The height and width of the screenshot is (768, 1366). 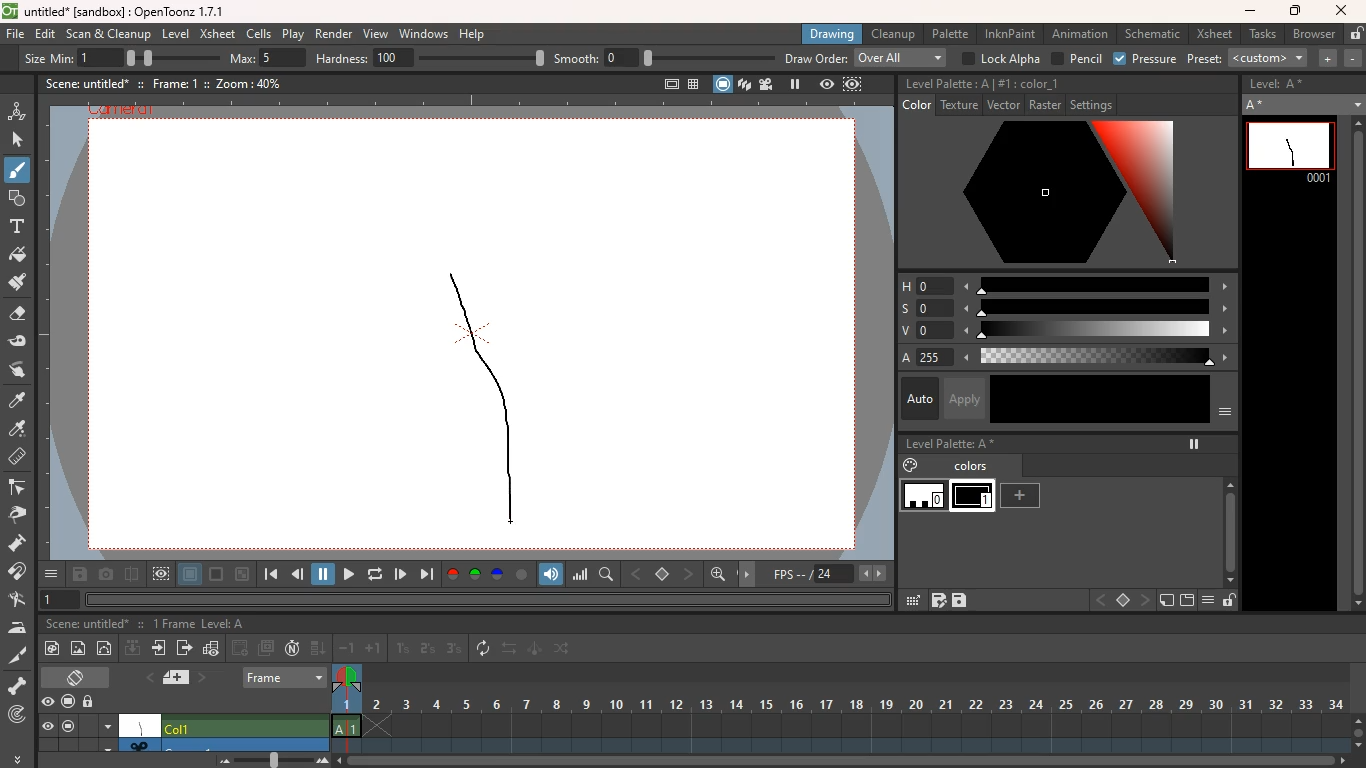 What do you see at coordinates (23, 544) in the screenshot?
I see `pump` at bounding box center [23, 544].